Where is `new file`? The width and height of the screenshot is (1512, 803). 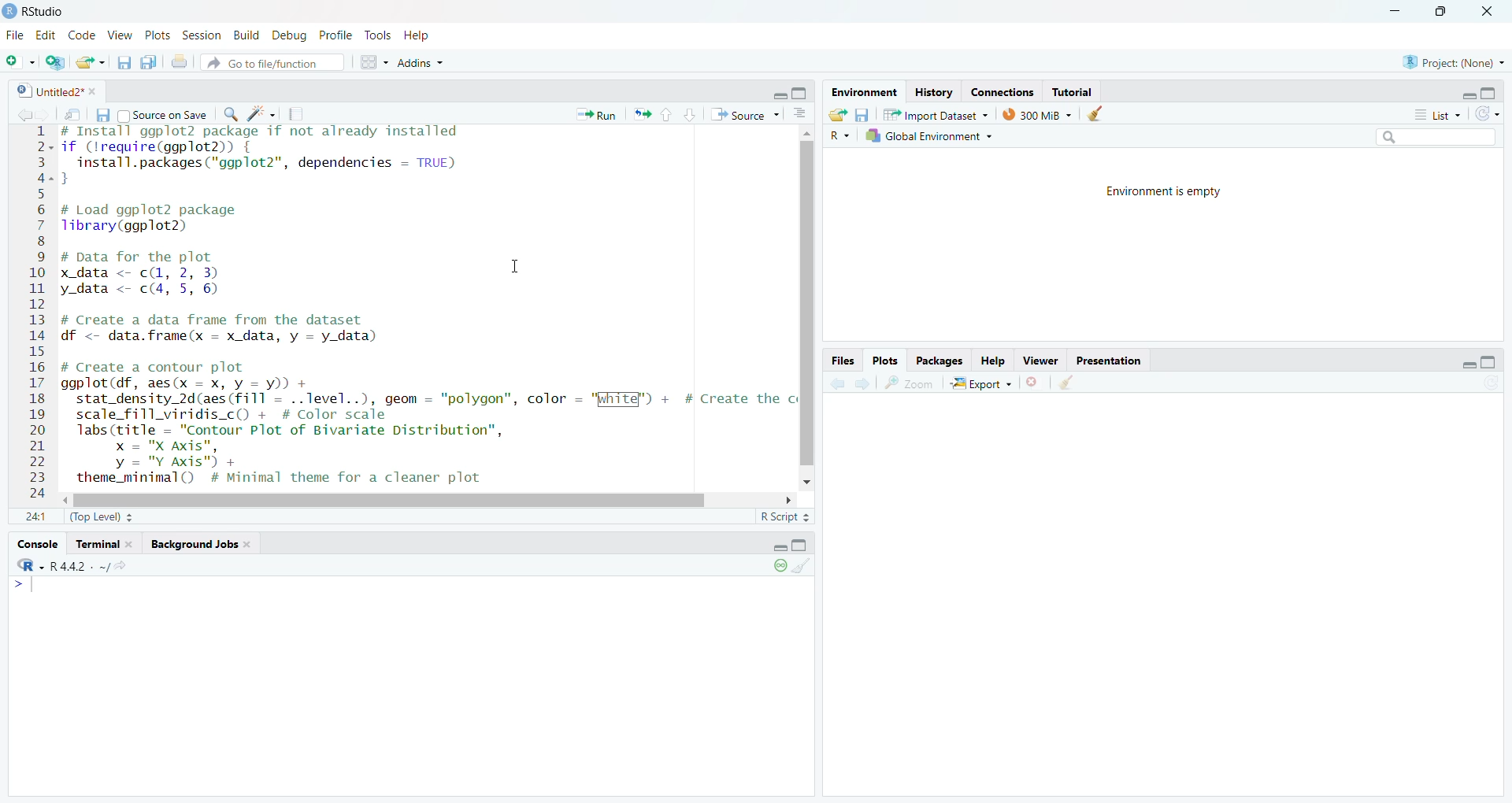
new file is located at coordinates (18, 61).